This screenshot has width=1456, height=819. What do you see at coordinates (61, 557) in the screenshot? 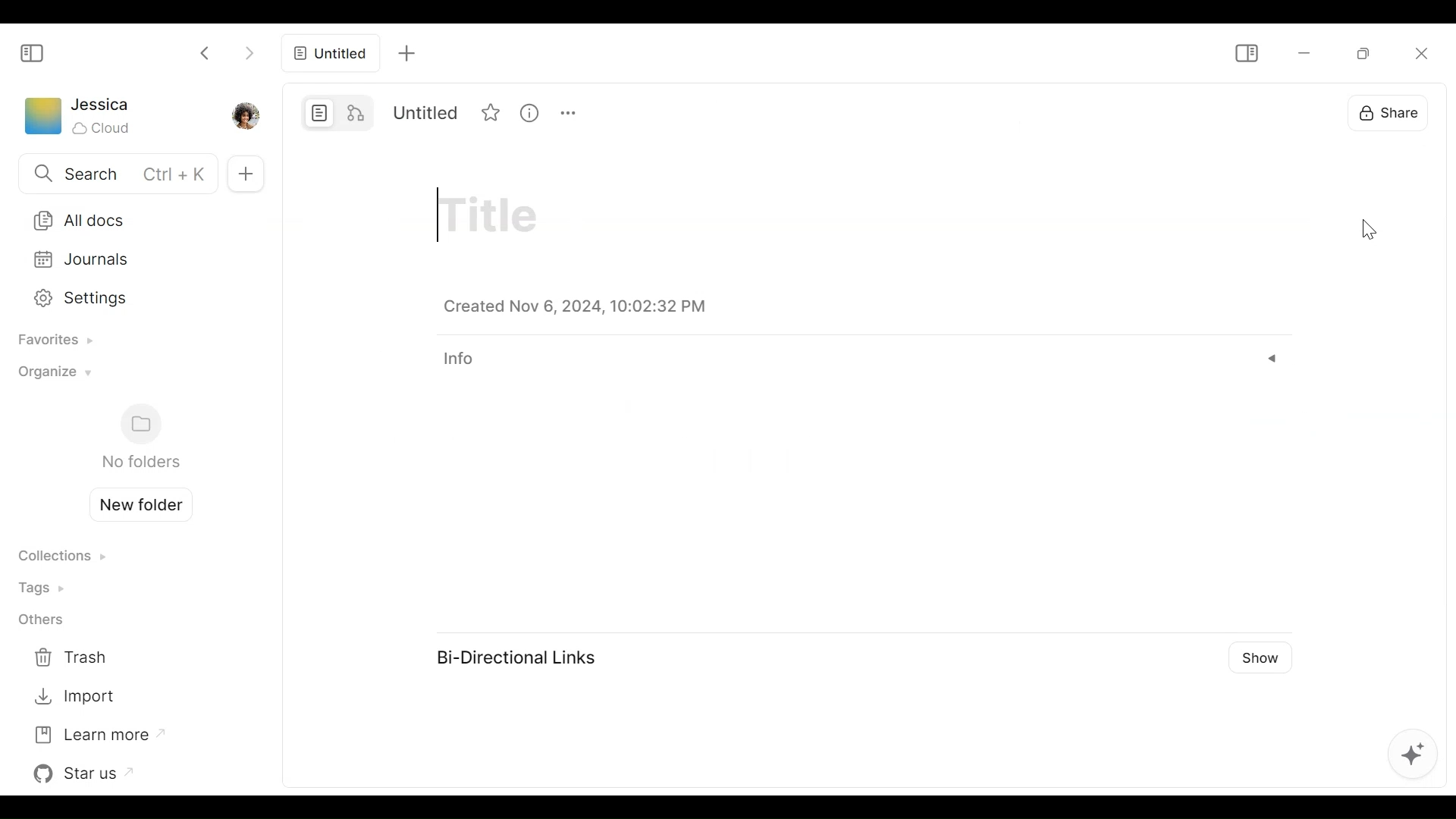
I see `Collections` at bounding box center [61, 557].